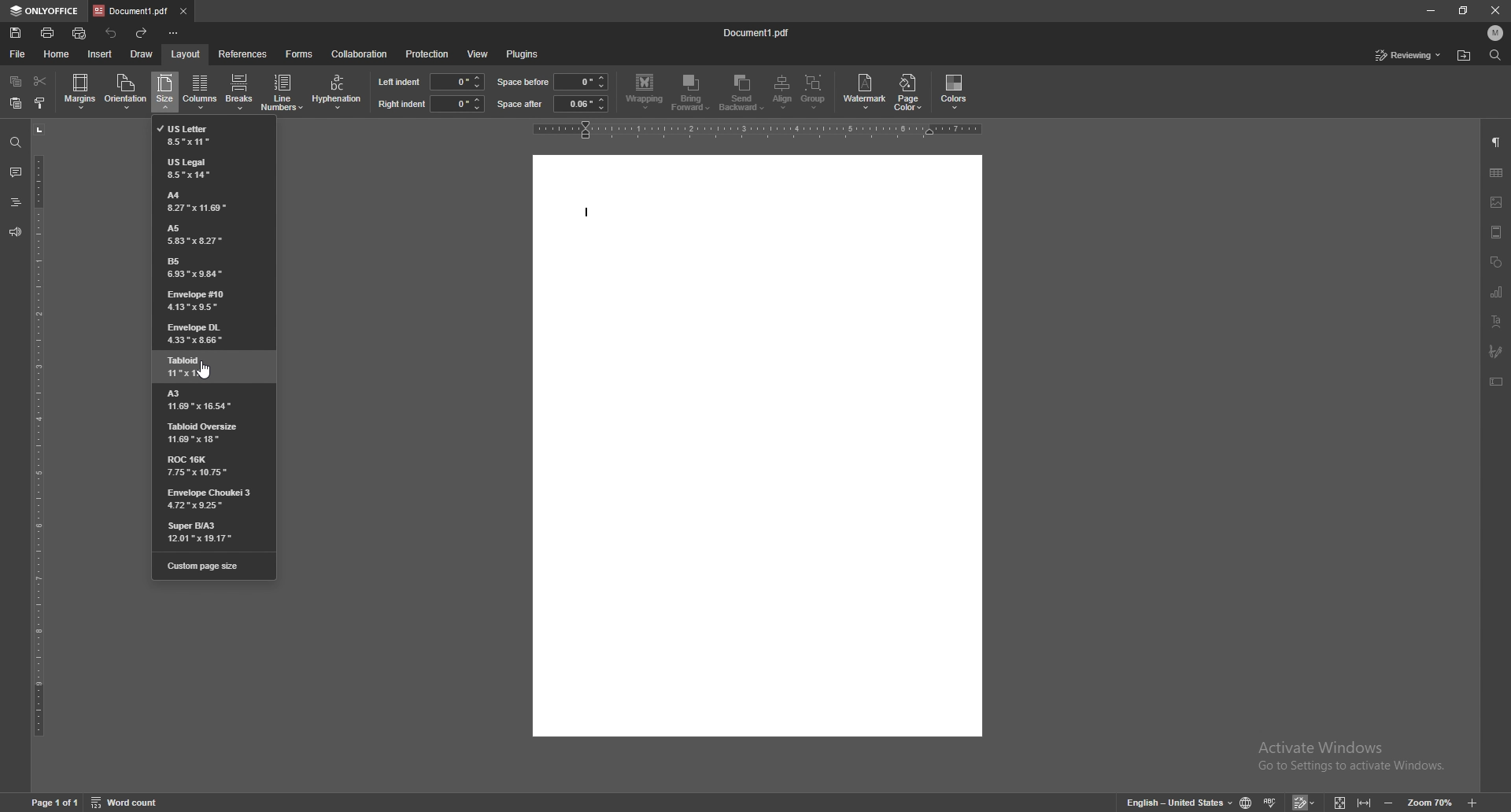 Image resolution: width=1511 pixels, height=812 pixels. Describe the element at coordinates (17, 103) in the screenshot. I see `paste` at that location.